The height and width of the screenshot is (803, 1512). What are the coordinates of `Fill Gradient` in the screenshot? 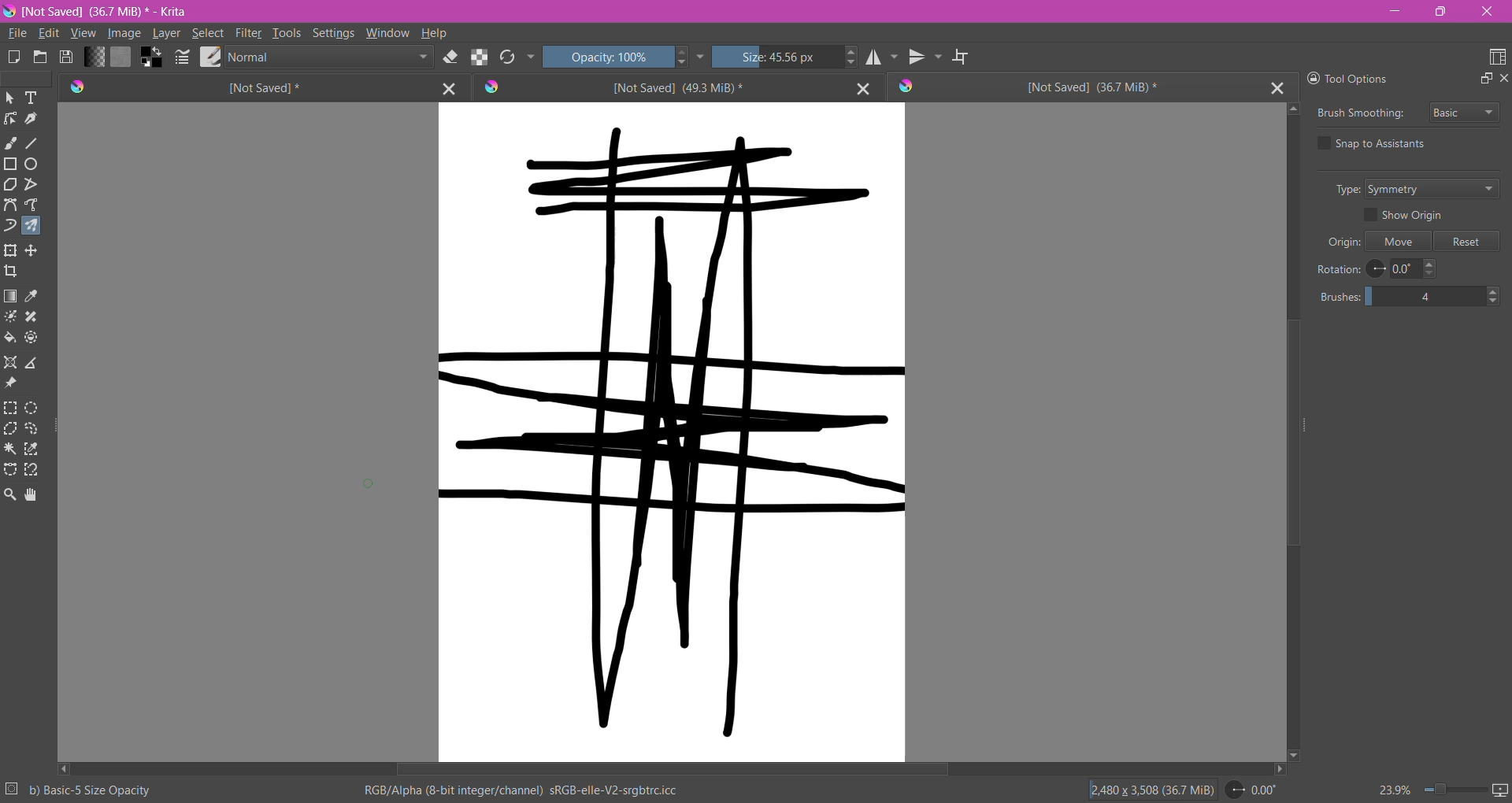 It's located at (94, 56).